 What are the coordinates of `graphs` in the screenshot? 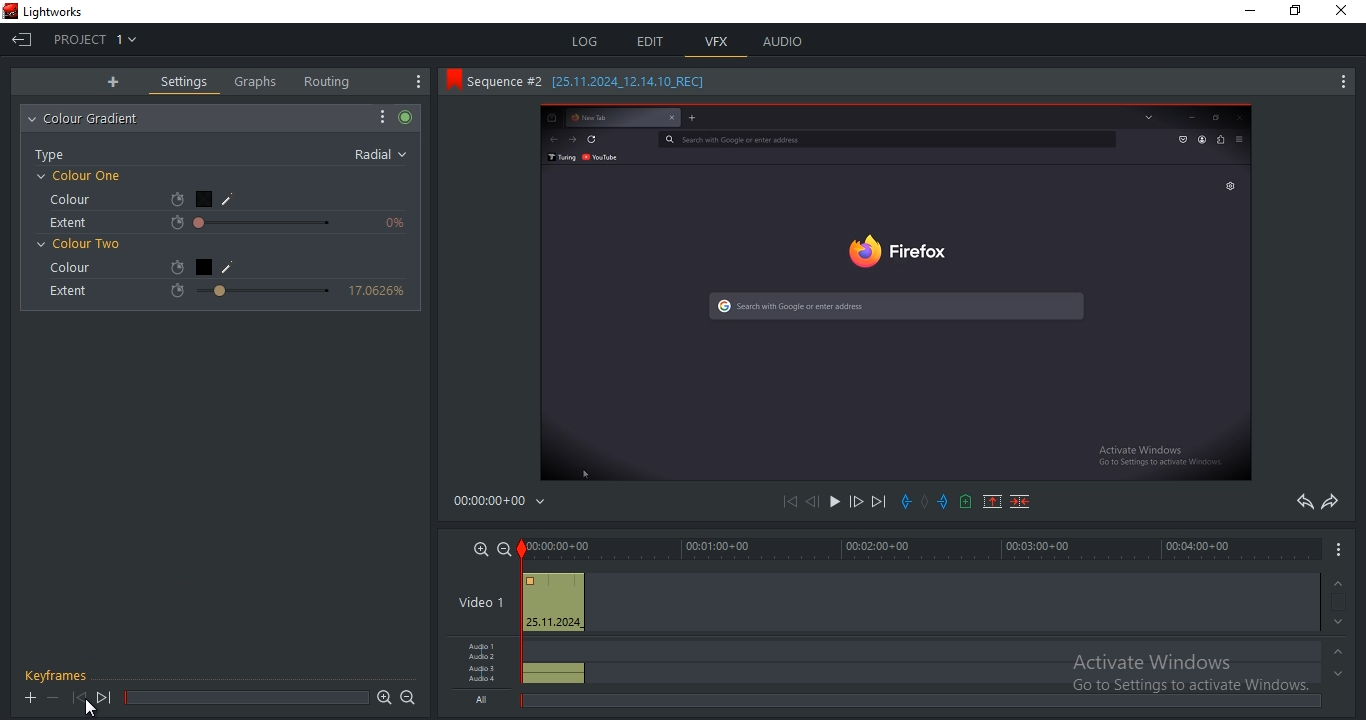 It's located at (256, 82).